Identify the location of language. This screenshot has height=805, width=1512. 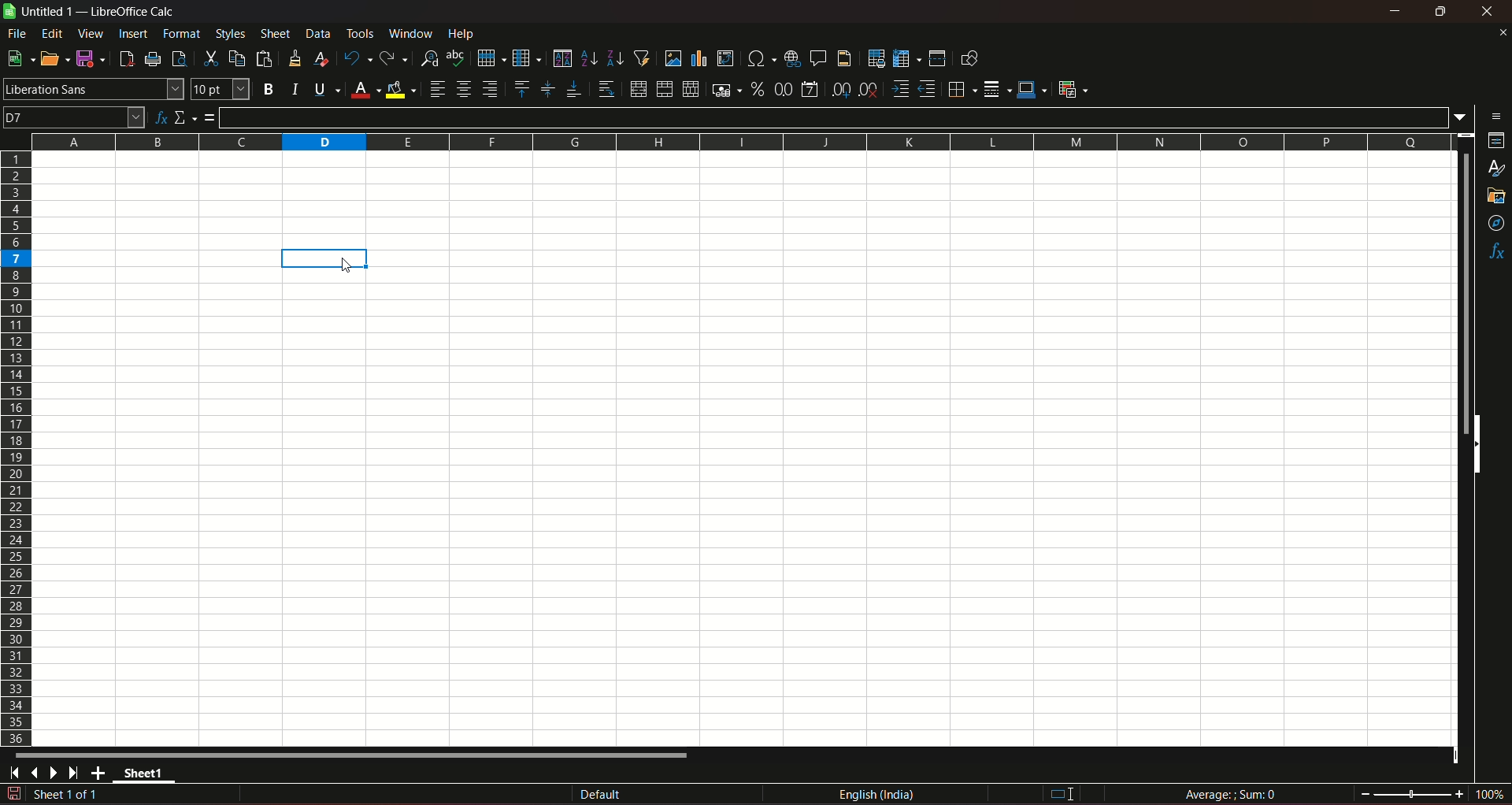
(880, 795).